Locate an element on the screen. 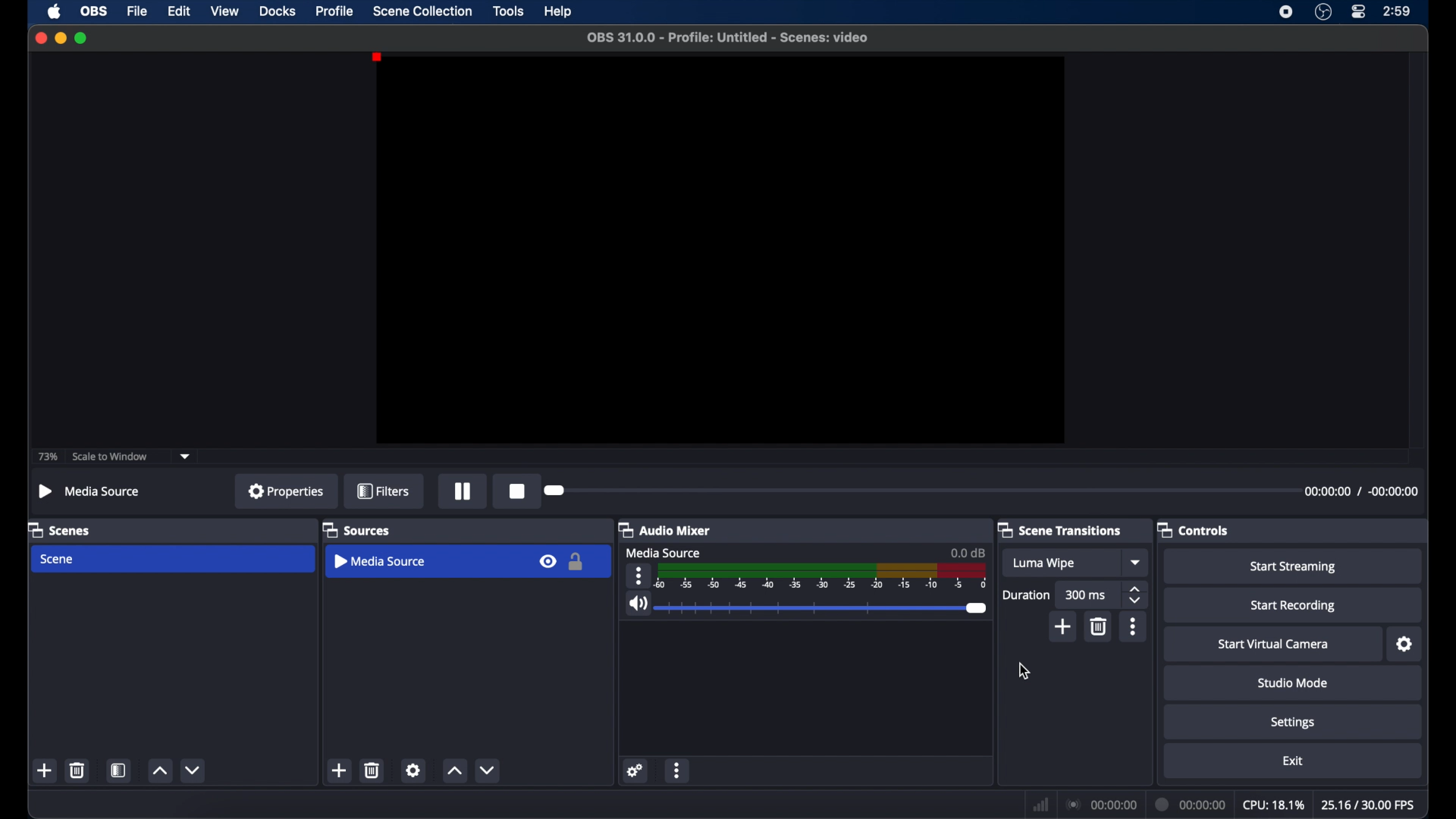 This screenshot has height=819, width=1456. 73% is located at coordinates (46, 457).